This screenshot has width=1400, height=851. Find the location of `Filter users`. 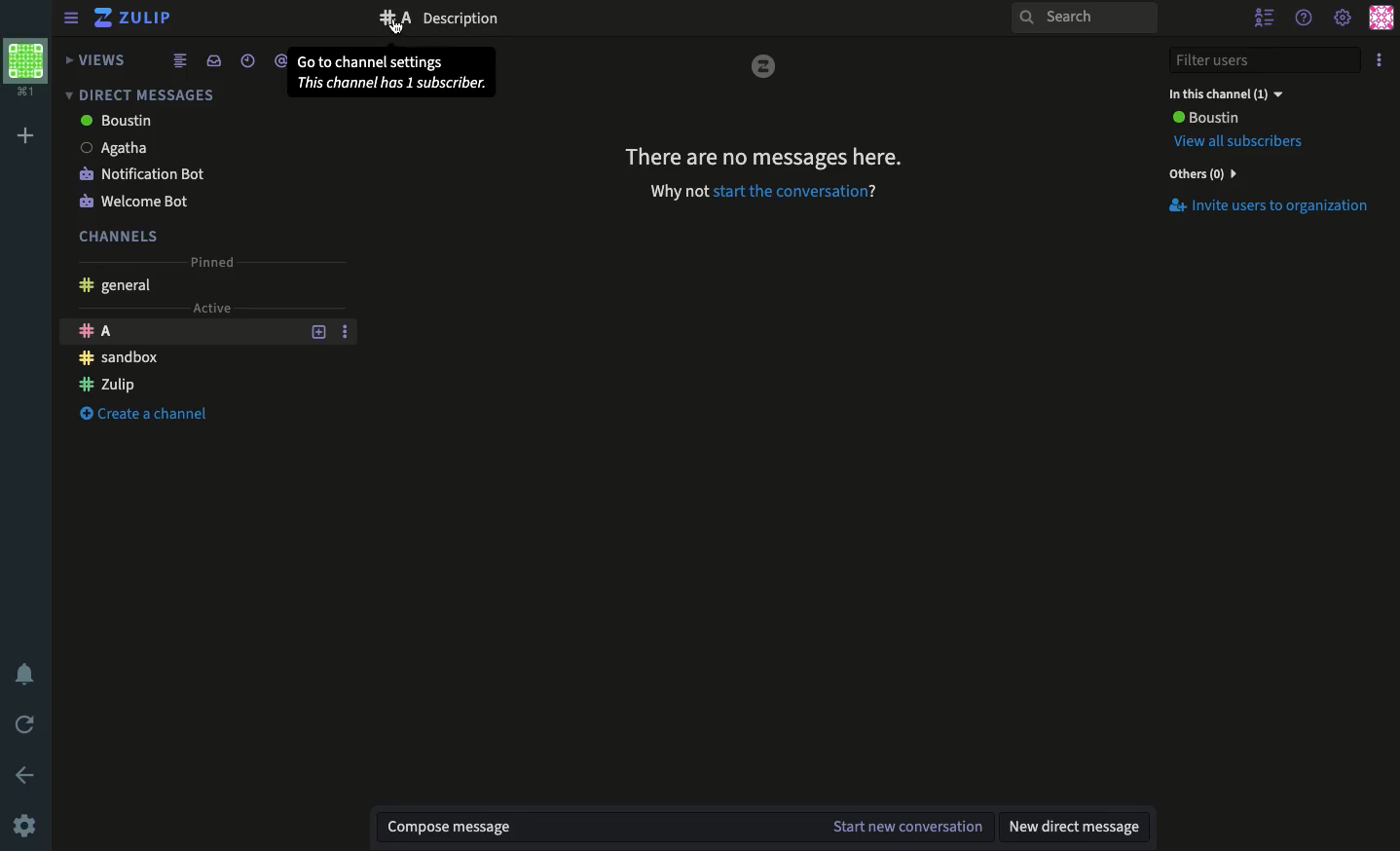

Filter users is located at coordinates (1265, 61).